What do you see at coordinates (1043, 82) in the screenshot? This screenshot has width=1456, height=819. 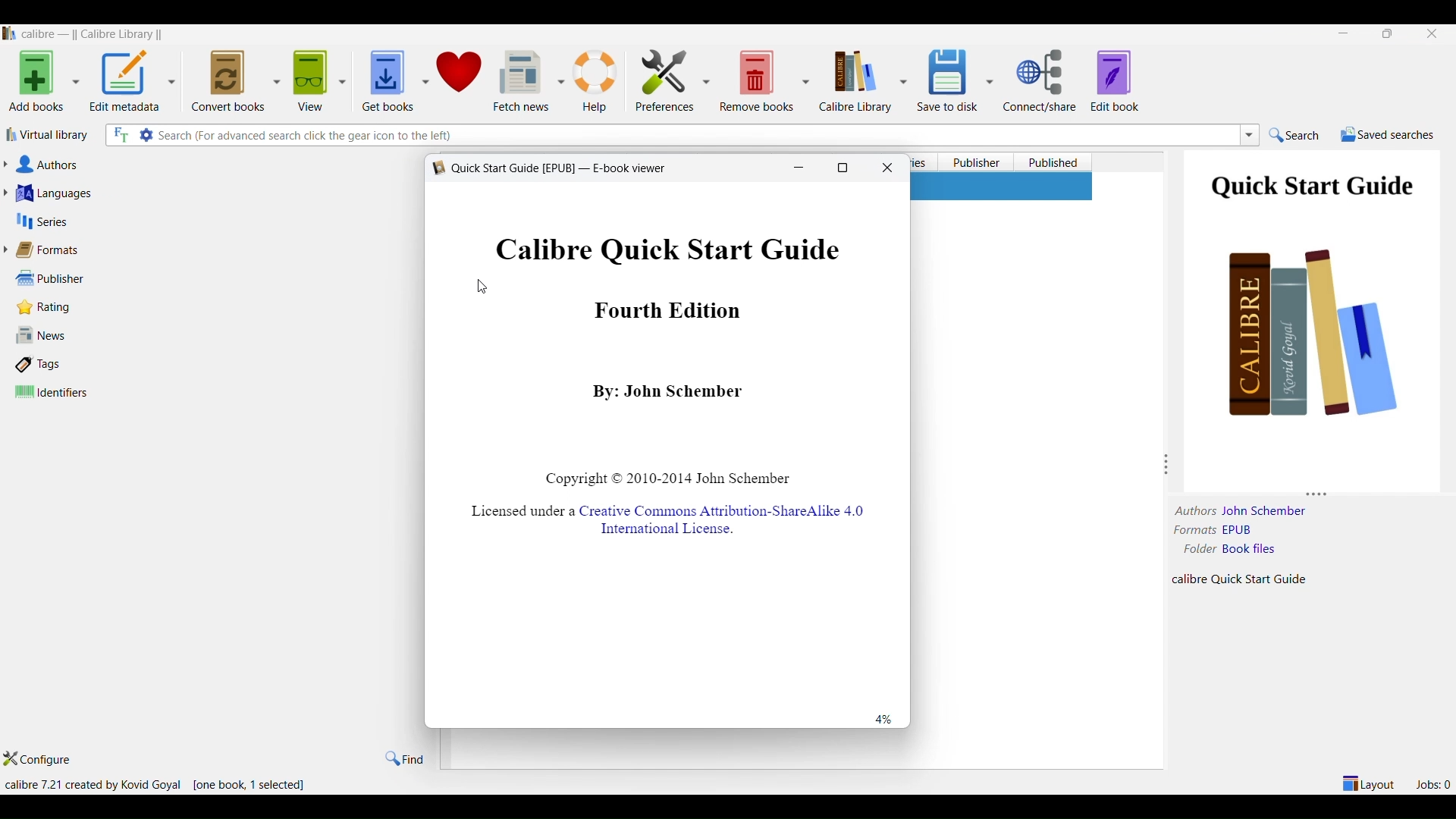 I see `connect/share` at bounding box center [1043, 82].